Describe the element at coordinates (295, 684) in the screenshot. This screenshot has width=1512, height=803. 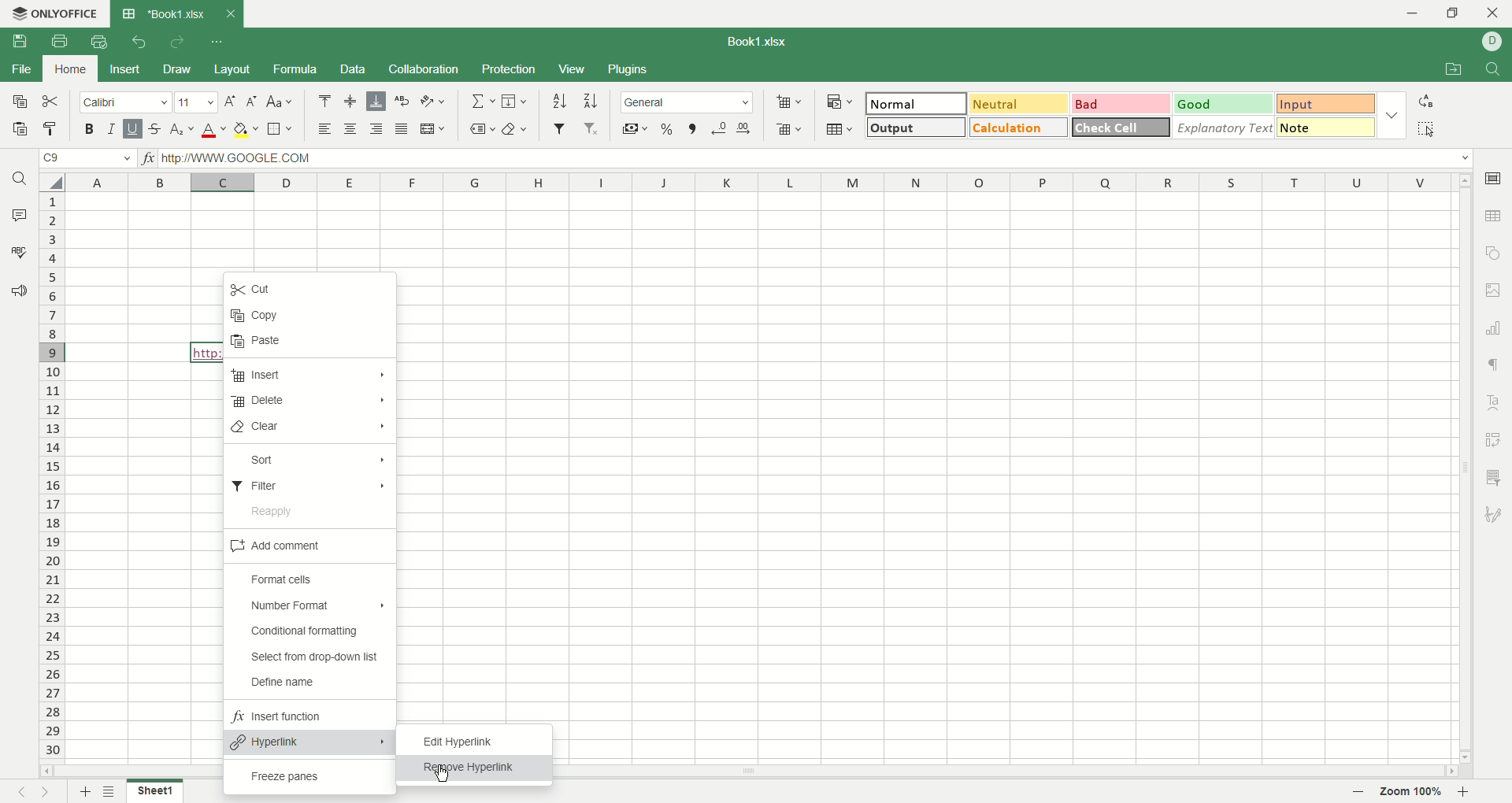
I see `define name` at that location.